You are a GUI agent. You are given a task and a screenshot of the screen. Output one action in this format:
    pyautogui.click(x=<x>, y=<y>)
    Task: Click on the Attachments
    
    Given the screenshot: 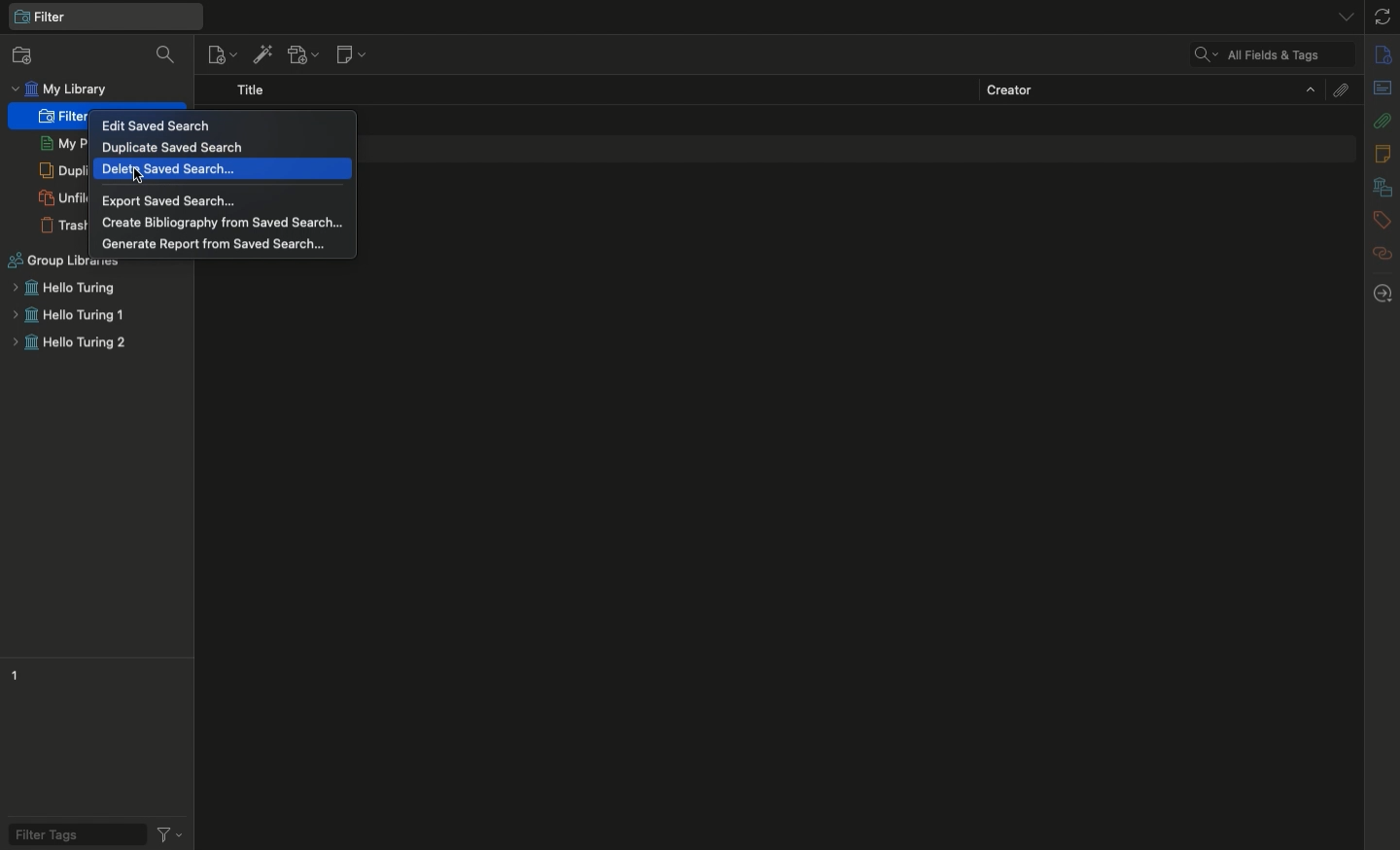 What is the action you would take?
    pyautogui.click(x=1382, y=120)
    